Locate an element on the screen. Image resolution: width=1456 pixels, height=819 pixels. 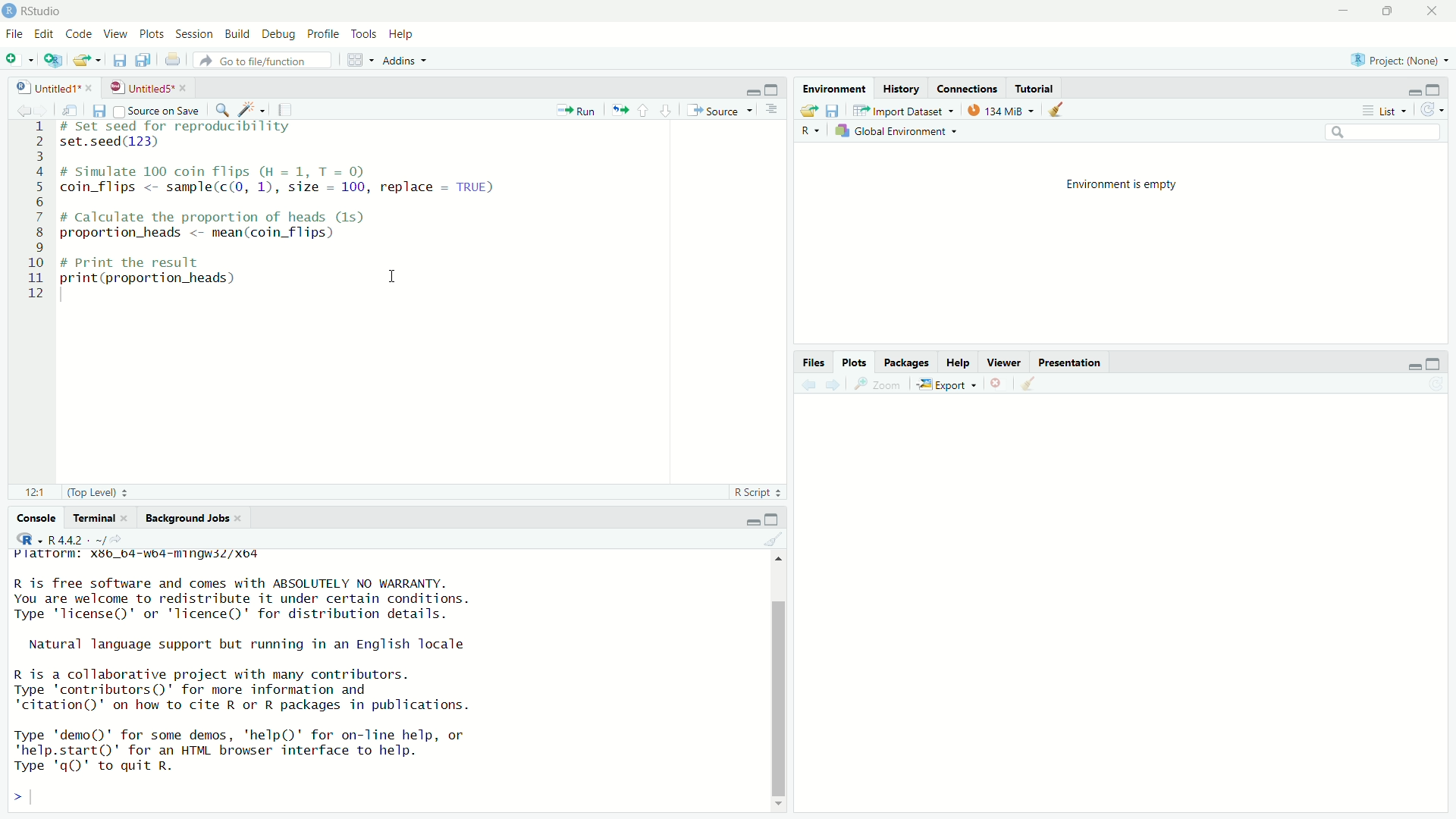
select language is located at coordinates (812, 132).